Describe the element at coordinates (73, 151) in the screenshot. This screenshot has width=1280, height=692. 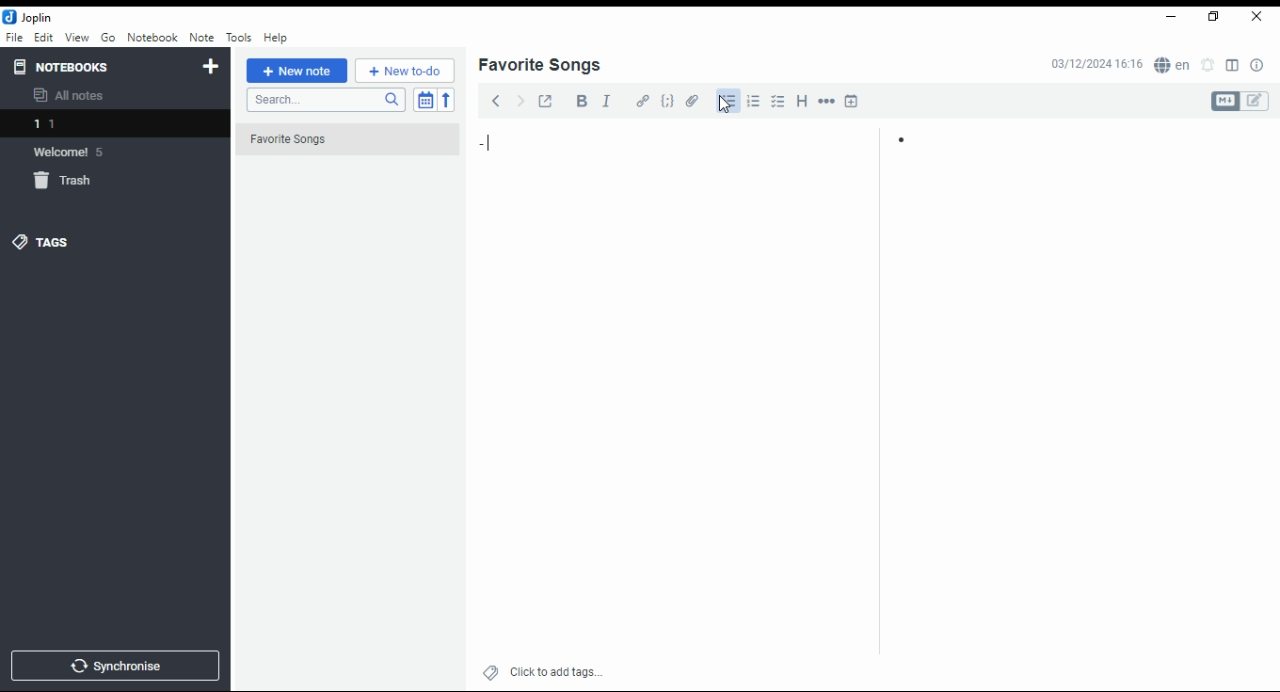
I see `notebook: welcome` at that location.